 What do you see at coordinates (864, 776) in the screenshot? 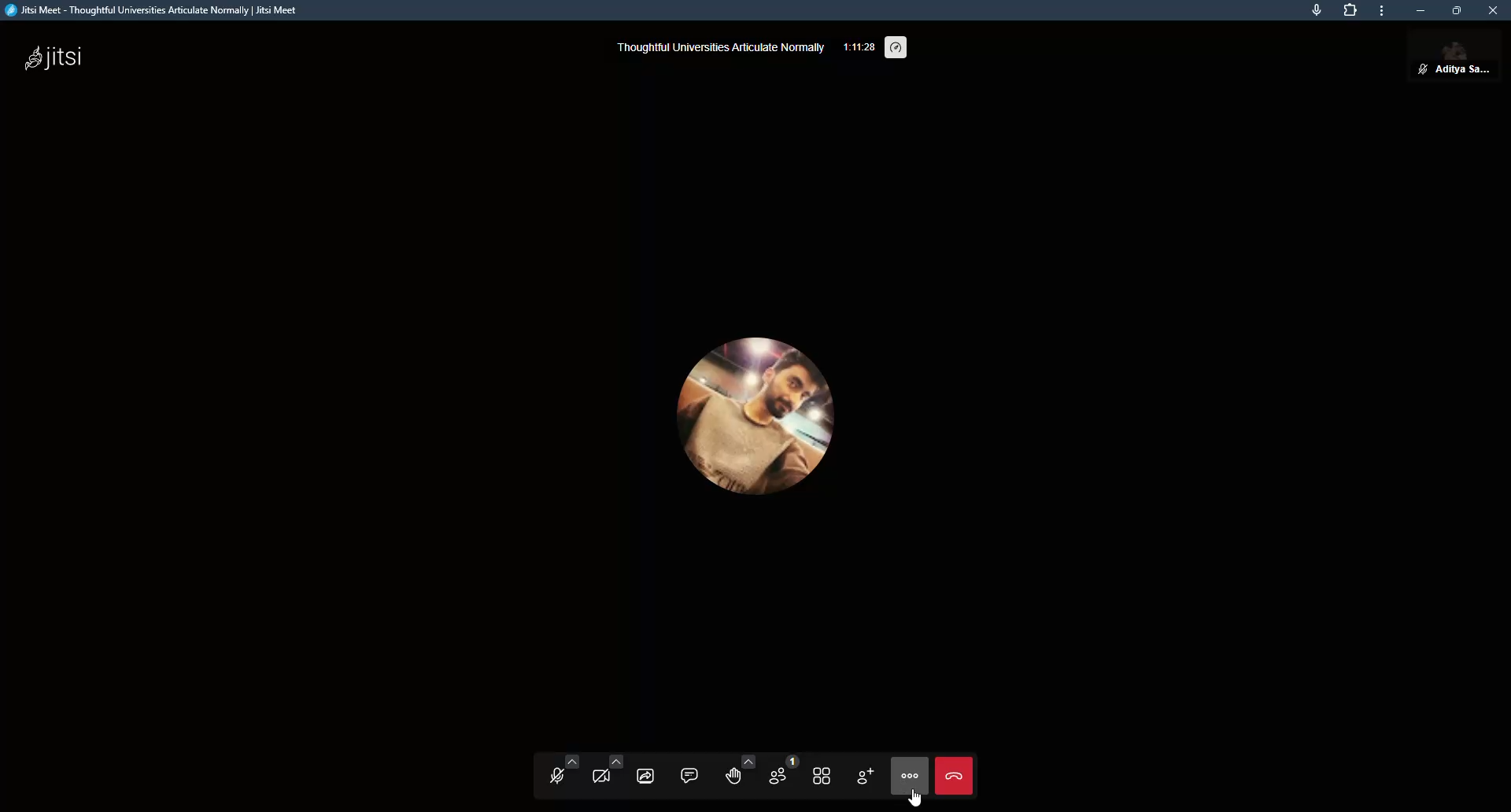
I see `invite people` at bounding box center [864, 776].